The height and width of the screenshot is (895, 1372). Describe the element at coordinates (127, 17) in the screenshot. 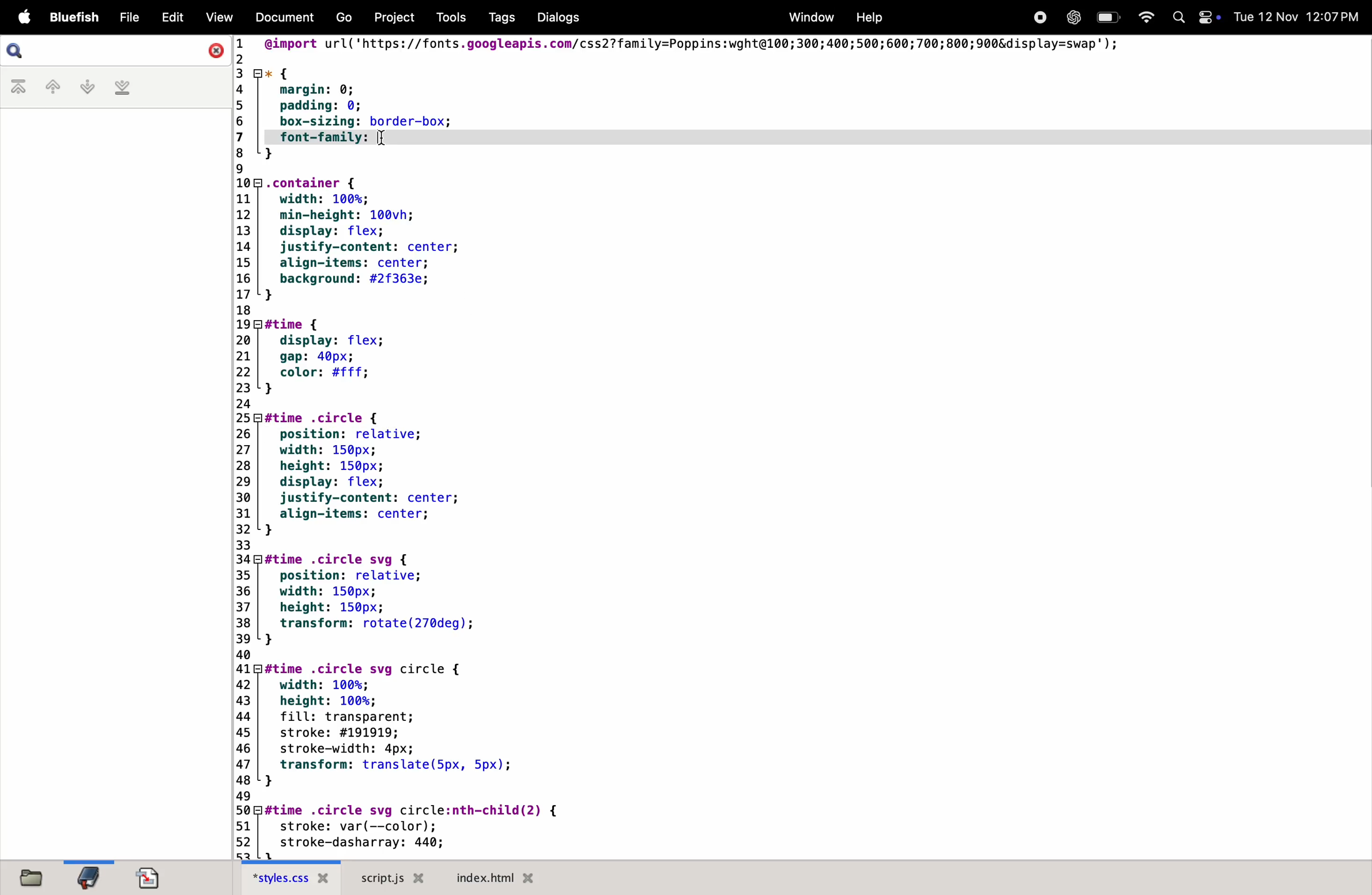

I see `file` at that location.